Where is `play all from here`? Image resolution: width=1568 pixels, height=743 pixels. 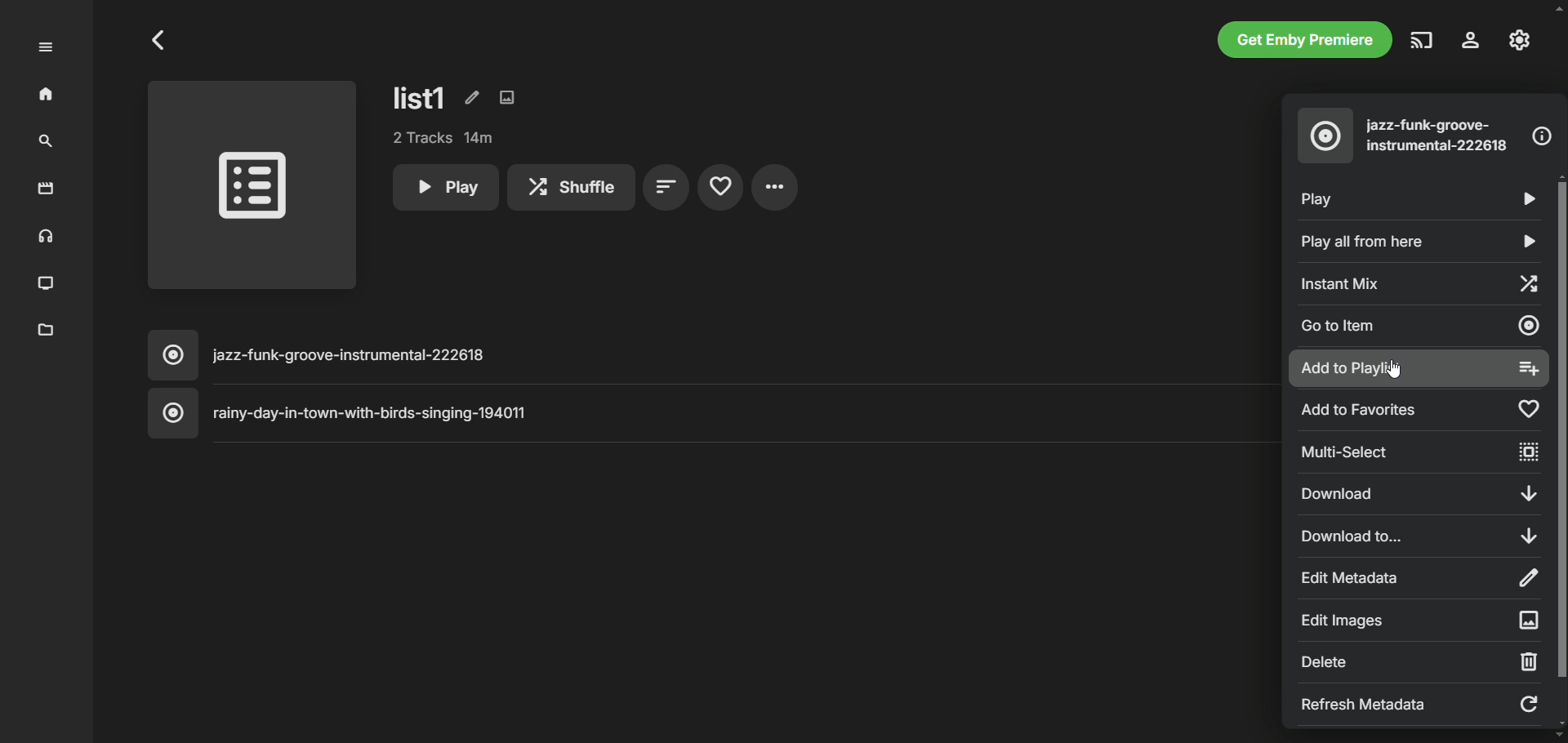
play all from here is located at coordinates (1420, 242).